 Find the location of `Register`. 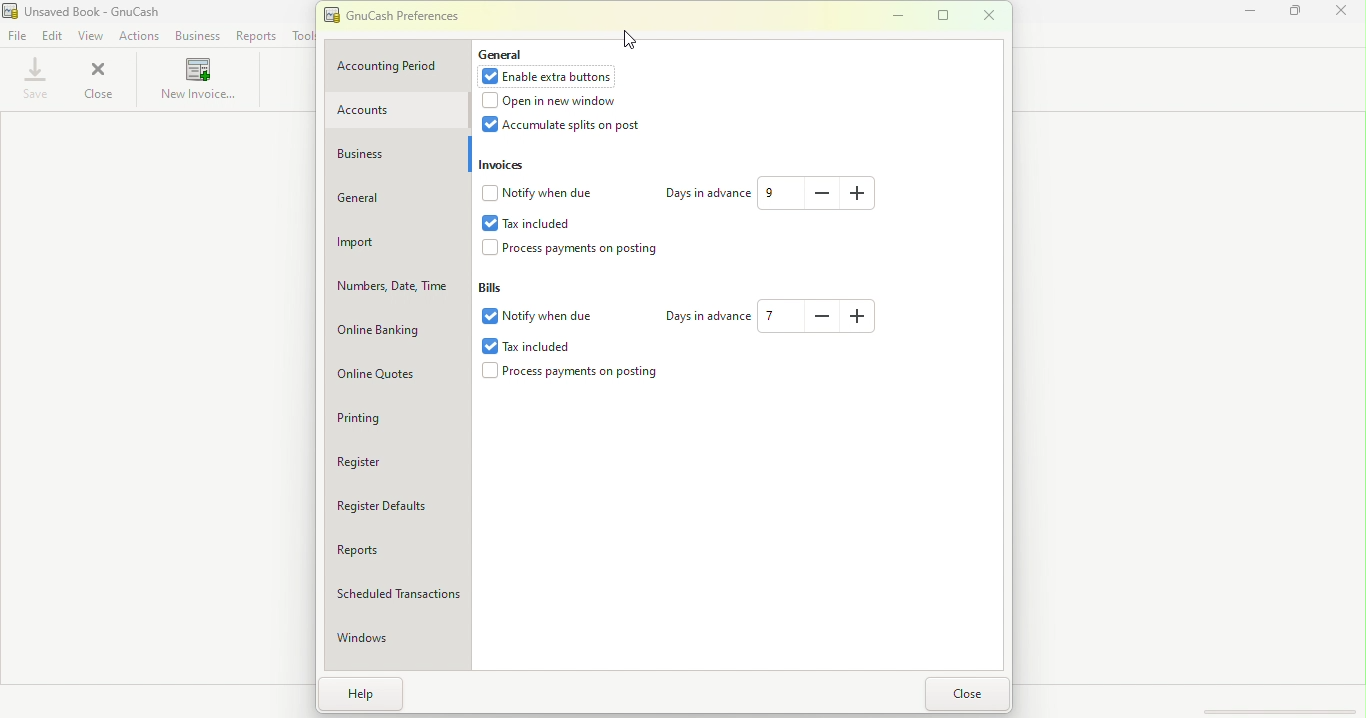

Register is located at coordinates (400, 463).